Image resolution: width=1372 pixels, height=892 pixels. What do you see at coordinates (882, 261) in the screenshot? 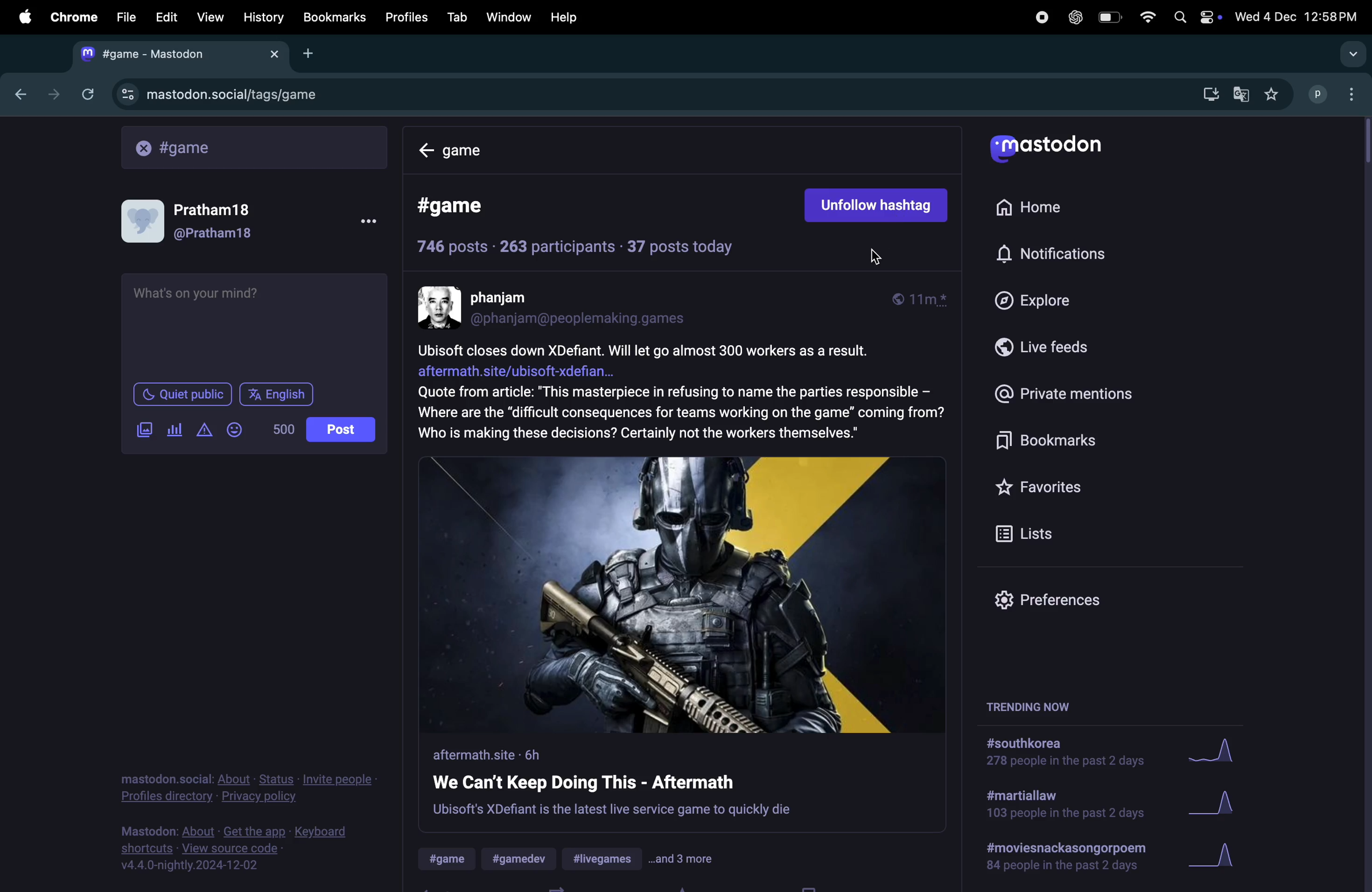
I see `cursor` at bounding box center [882, 261].